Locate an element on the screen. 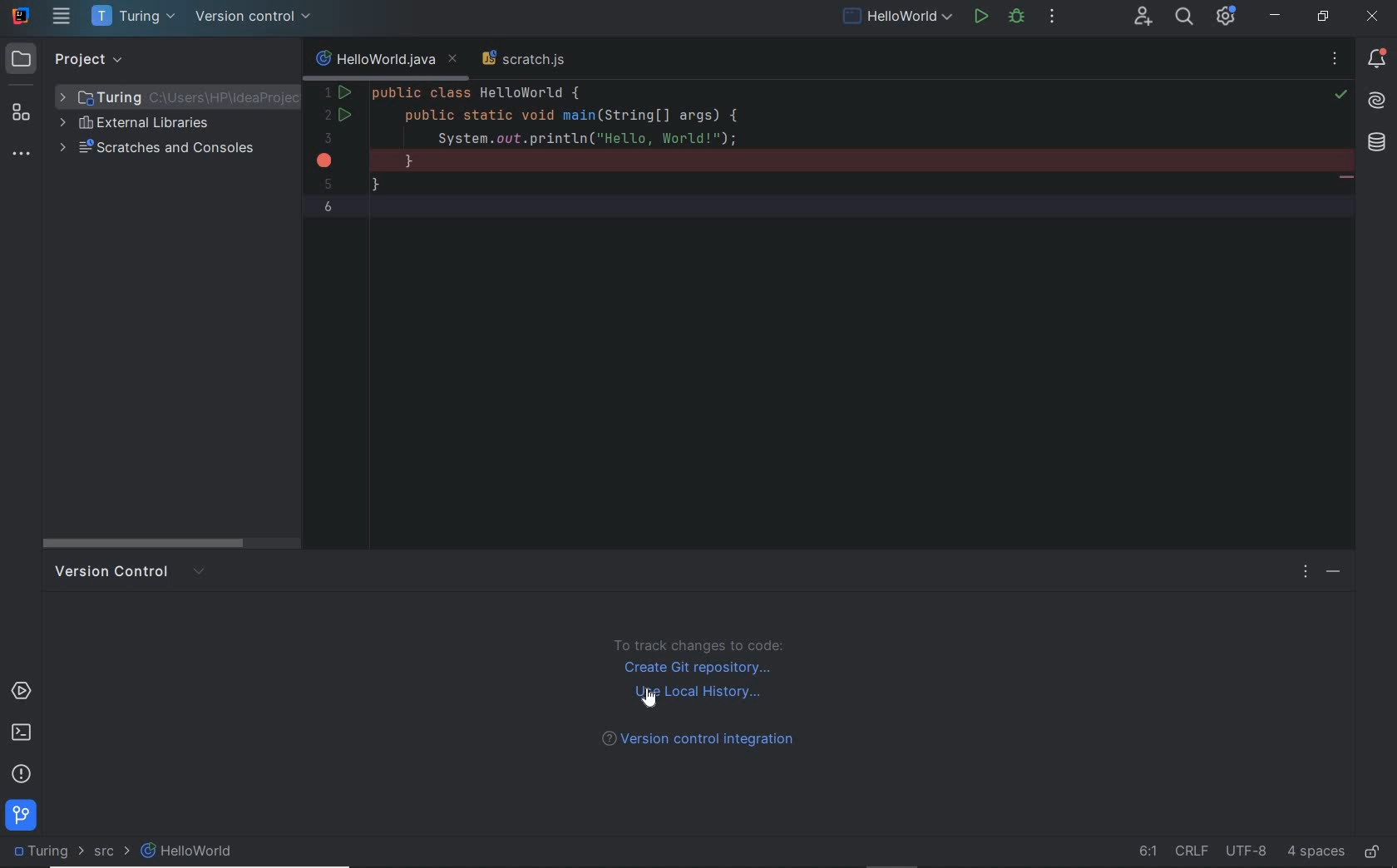 The height and width of the screenshot is (868, 1397). search everywhere is located at coordinates (1182, 16).